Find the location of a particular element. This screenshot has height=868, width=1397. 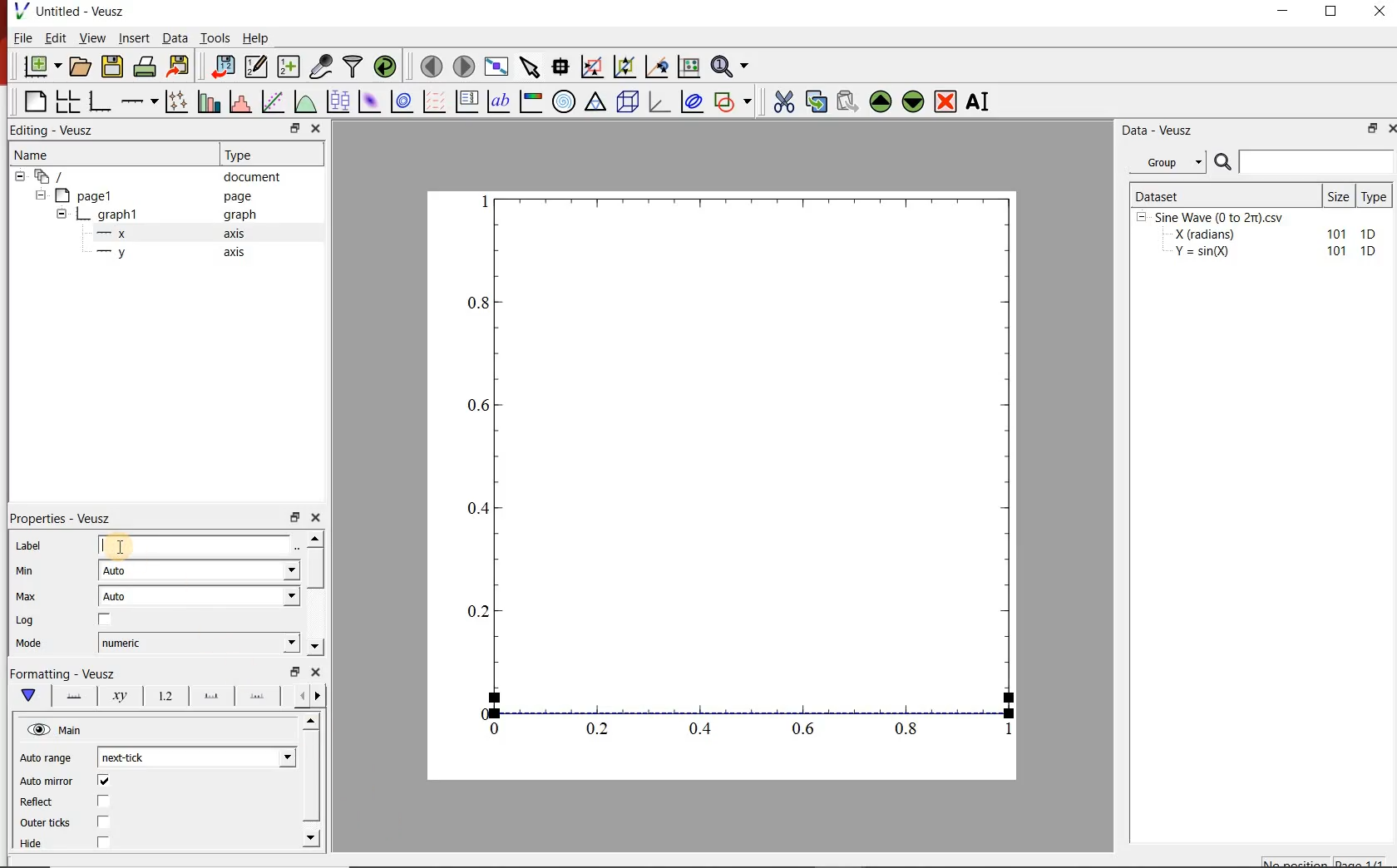

Checkboxes is located at coordinates (105, 812).